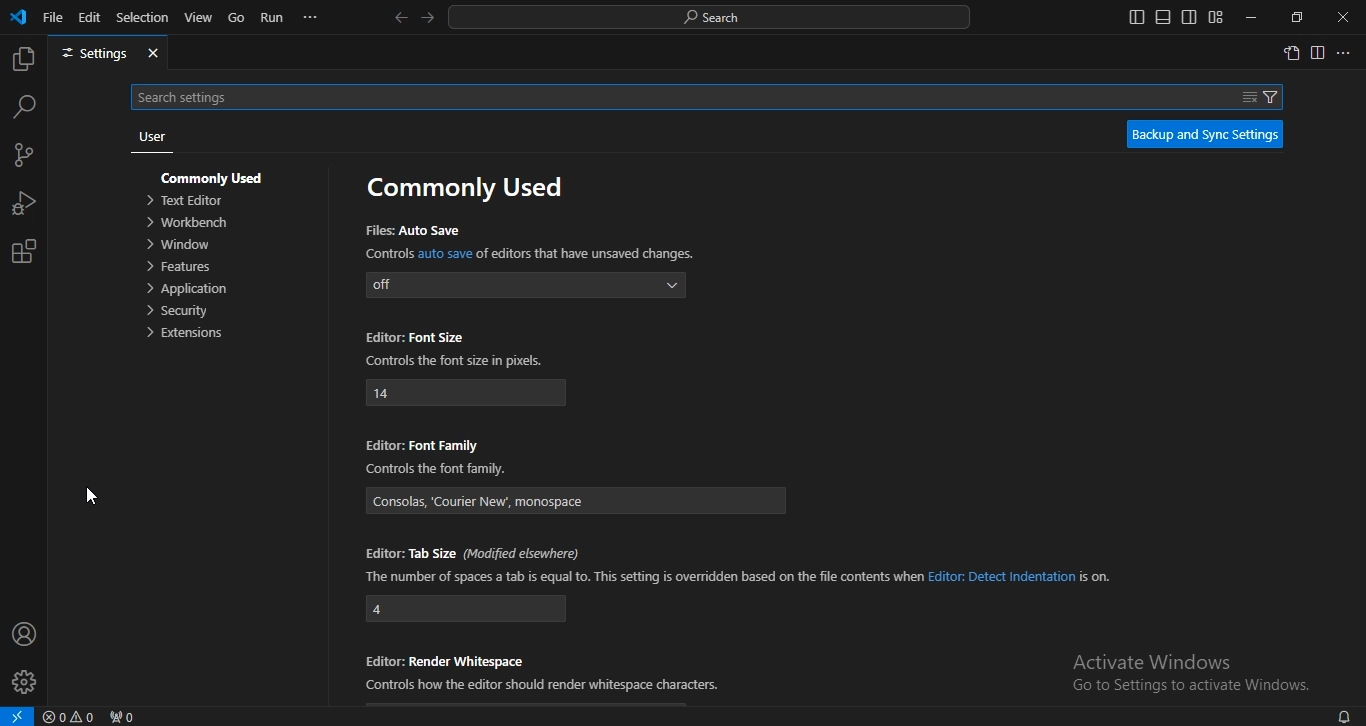 The height and width of the screenshot is (726, 1366). What do you see at coordinates (1248, 18) in the screenshot?
I see `minimize` at bounding box center [1248, 18].